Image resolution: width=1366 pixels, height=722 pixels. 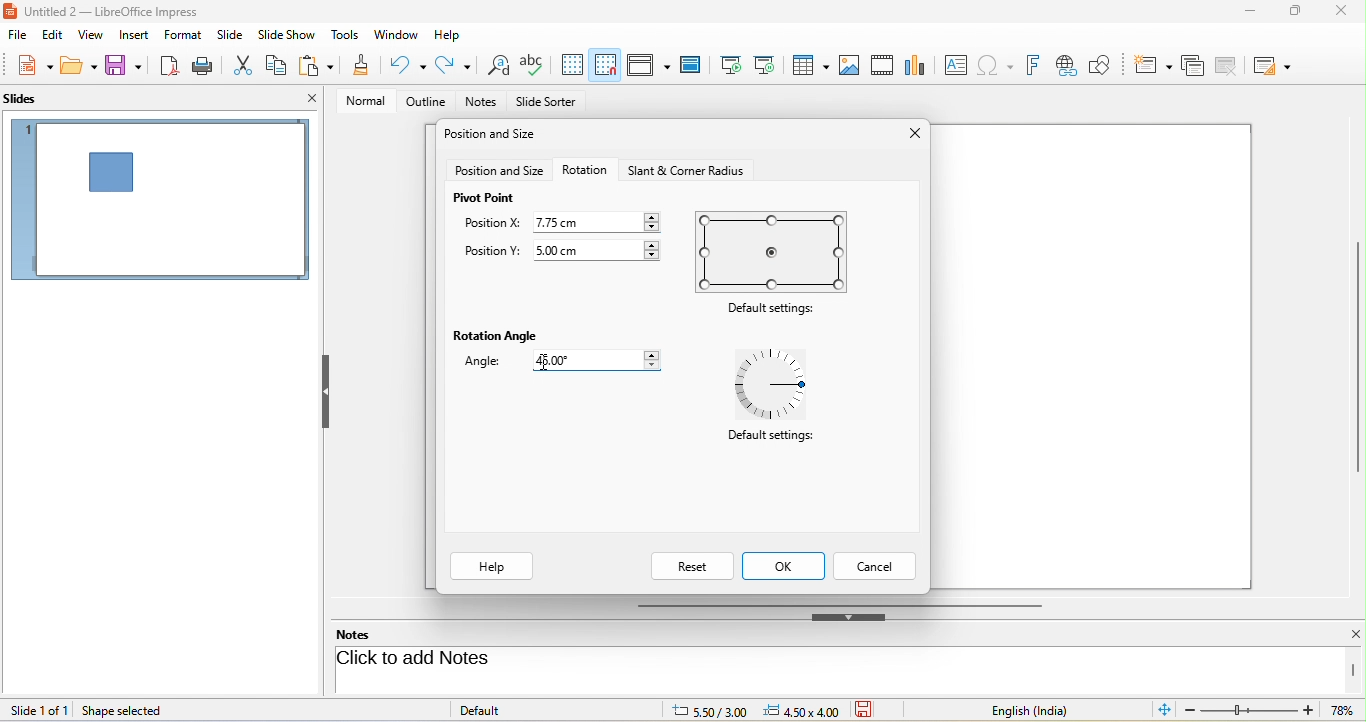 What do you see at coordinates (130, 710) in the screenshot?
I see `shaped selected` at bounding box center [130, 710].